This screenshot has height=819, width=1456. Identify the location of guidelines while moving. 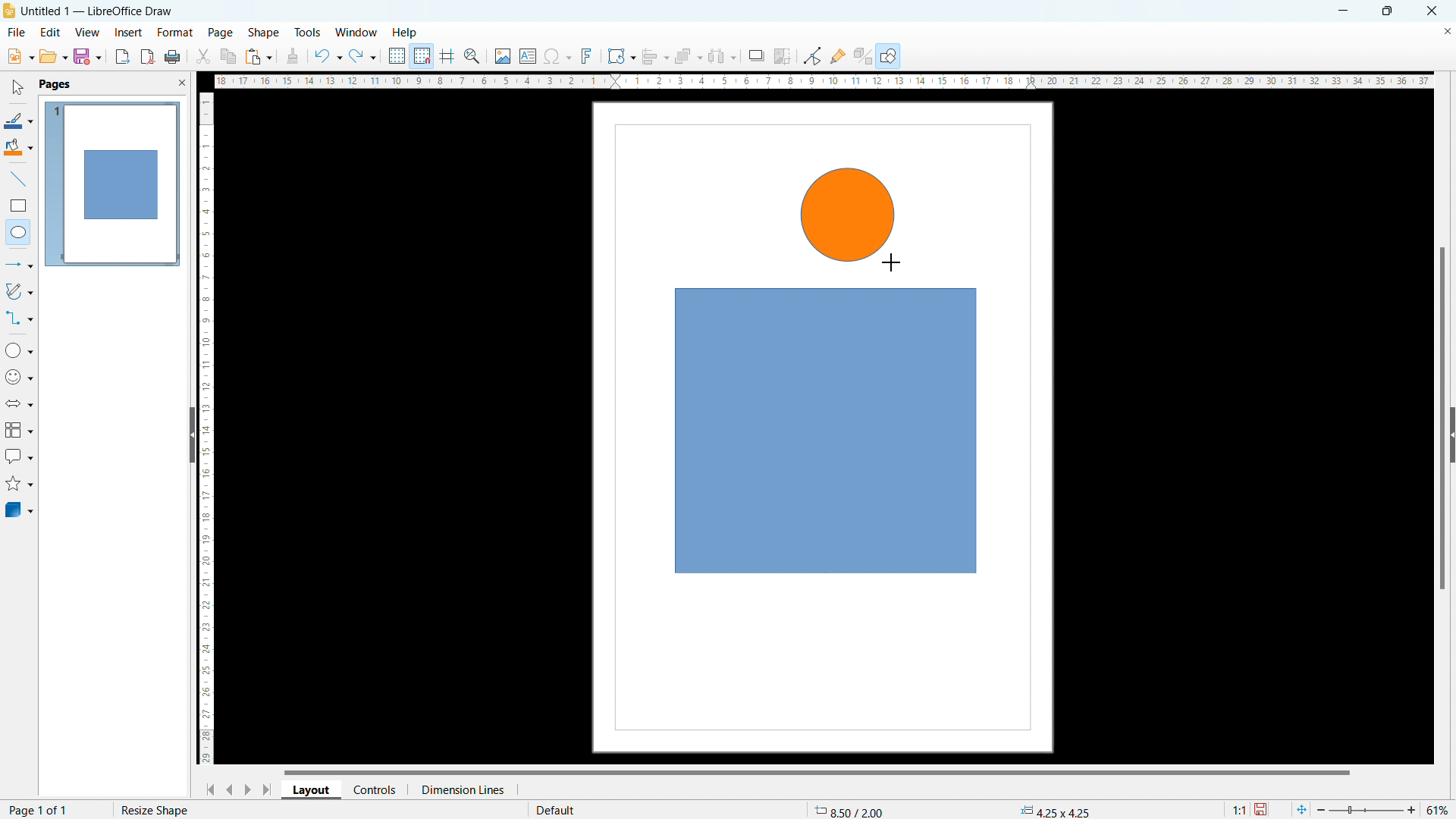
(447, 57).